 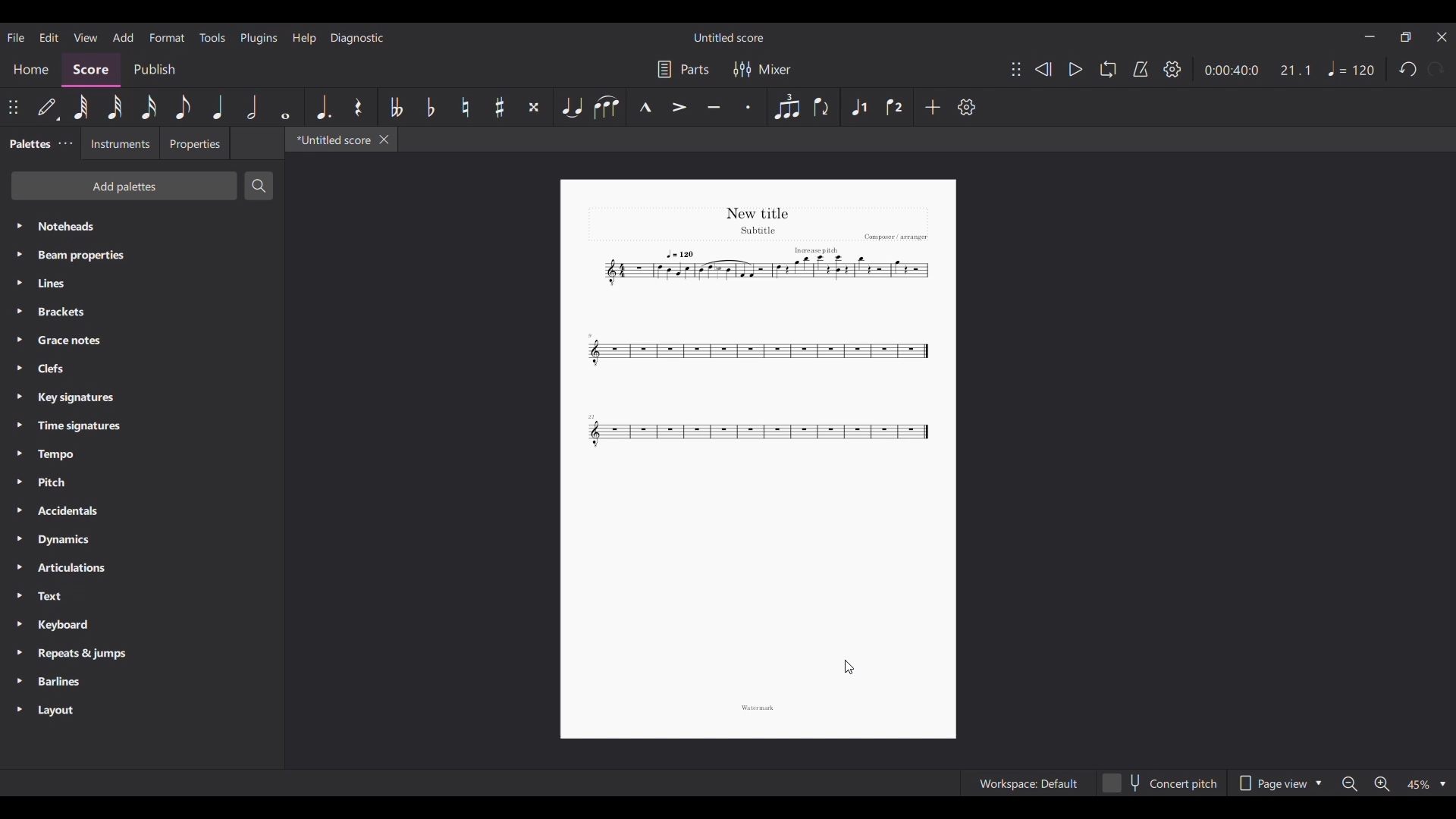 I want to click on Half note, so click(x=252, y=107).